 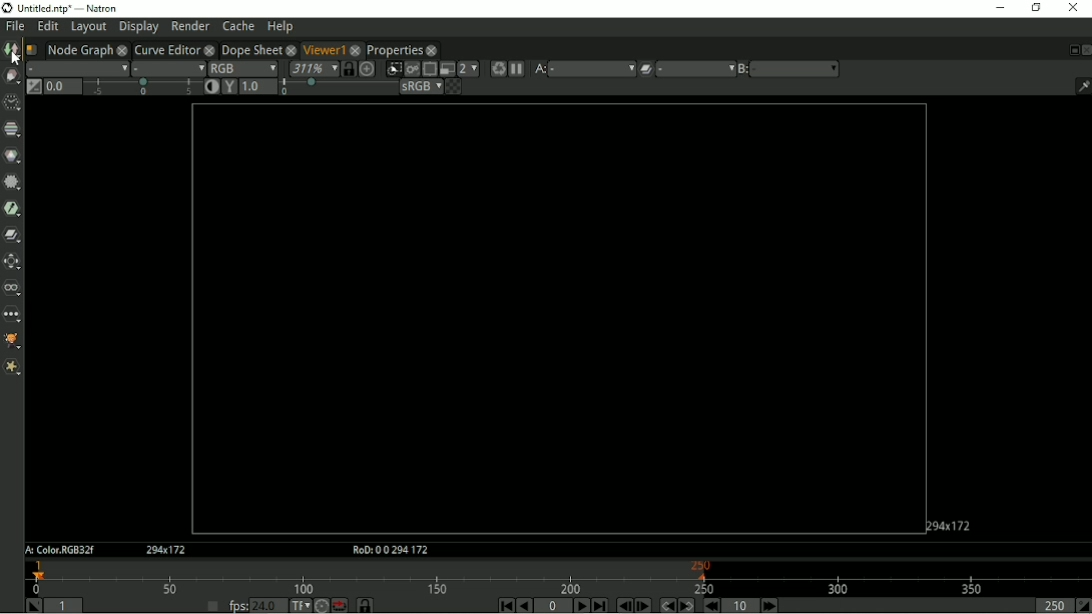 I want to click on Layer, so click(x=76, y=68).